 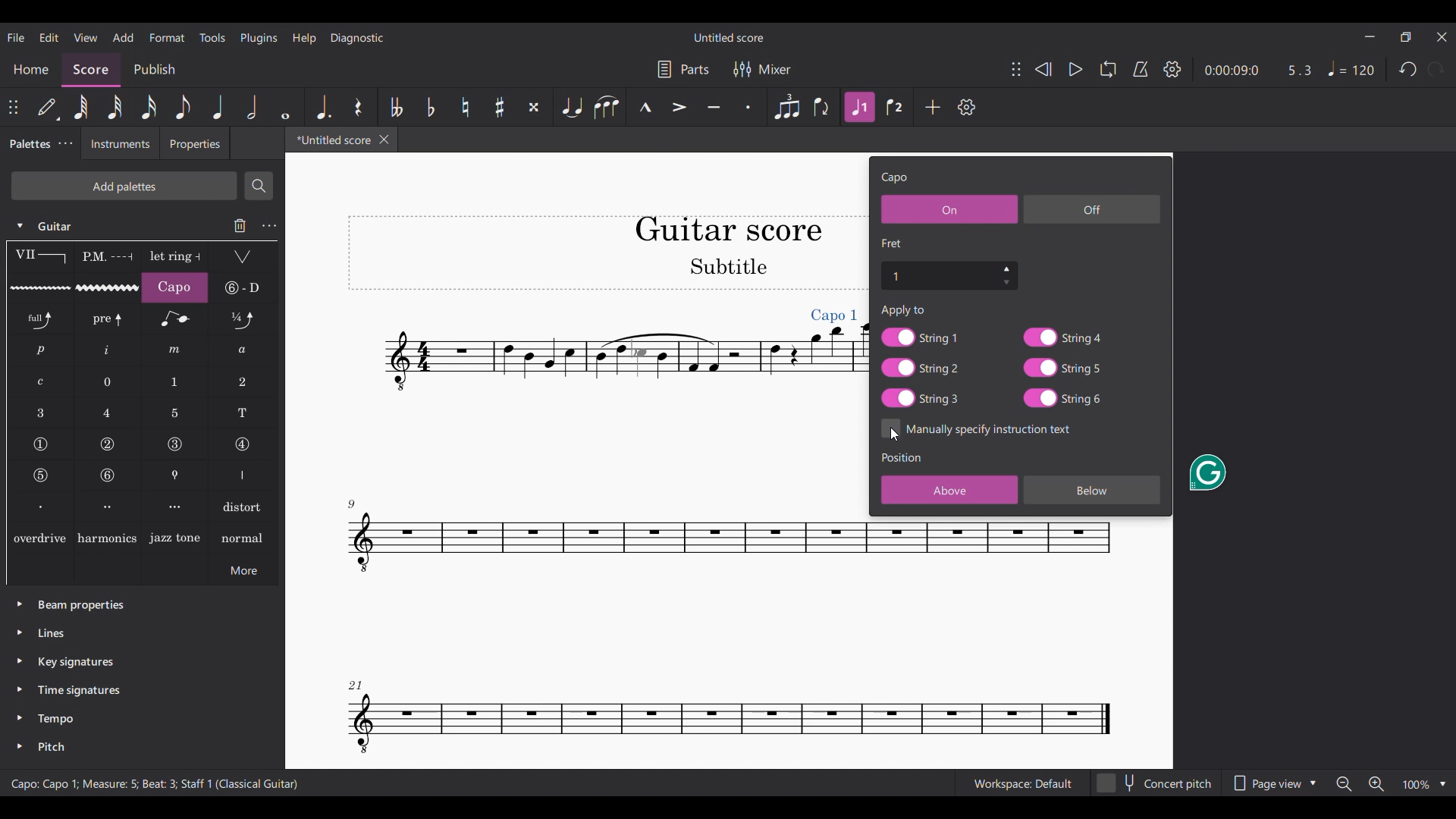 What do you see at coordinates (176, 382) in the screenshot?
I see `LH guitar fingering 1` at bounding box center [176, 382].